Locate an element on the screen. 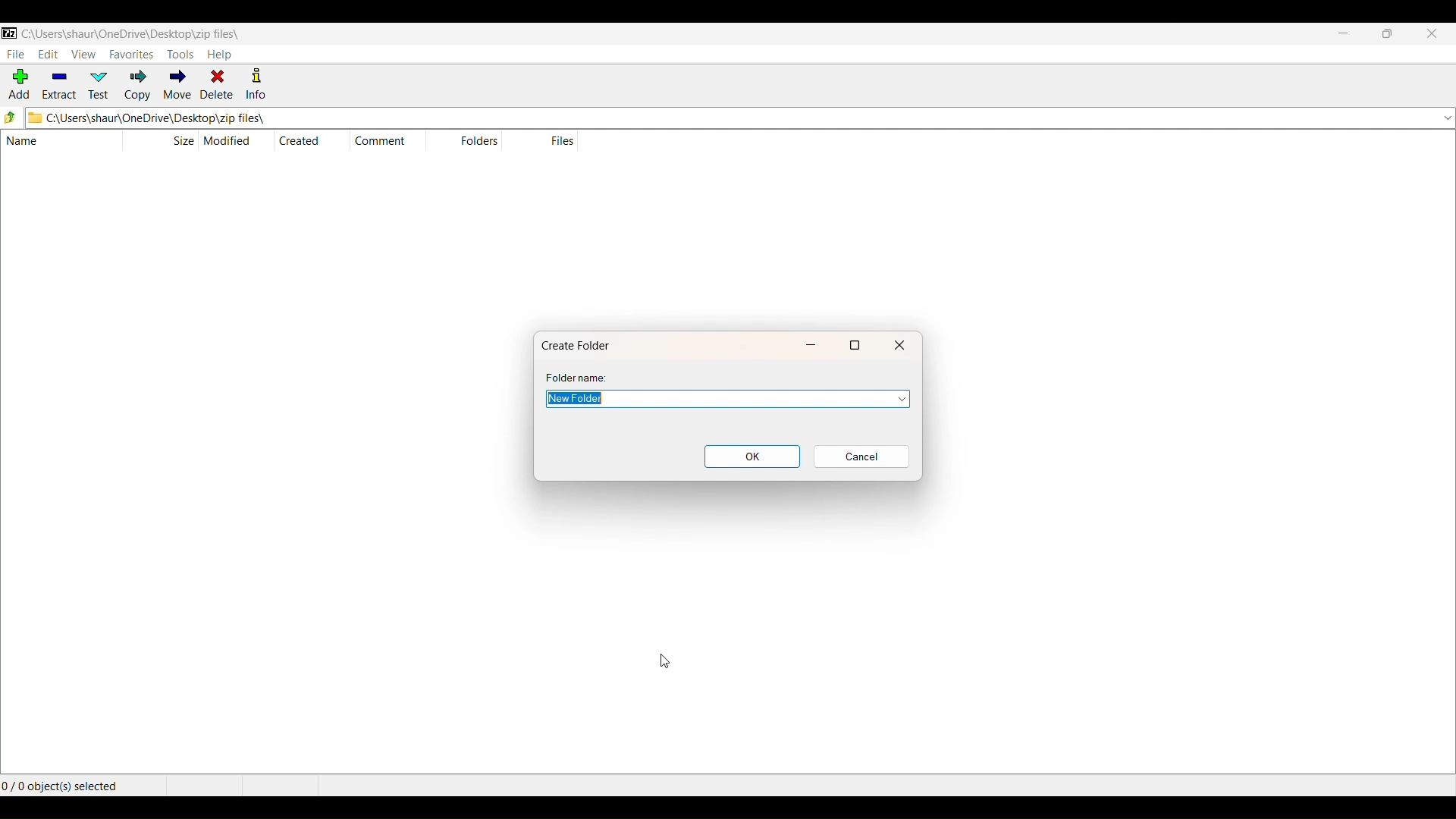 The width and height of the screenshot is (1456, 819). MINIMIZE is located at coordinates (1344, 35).